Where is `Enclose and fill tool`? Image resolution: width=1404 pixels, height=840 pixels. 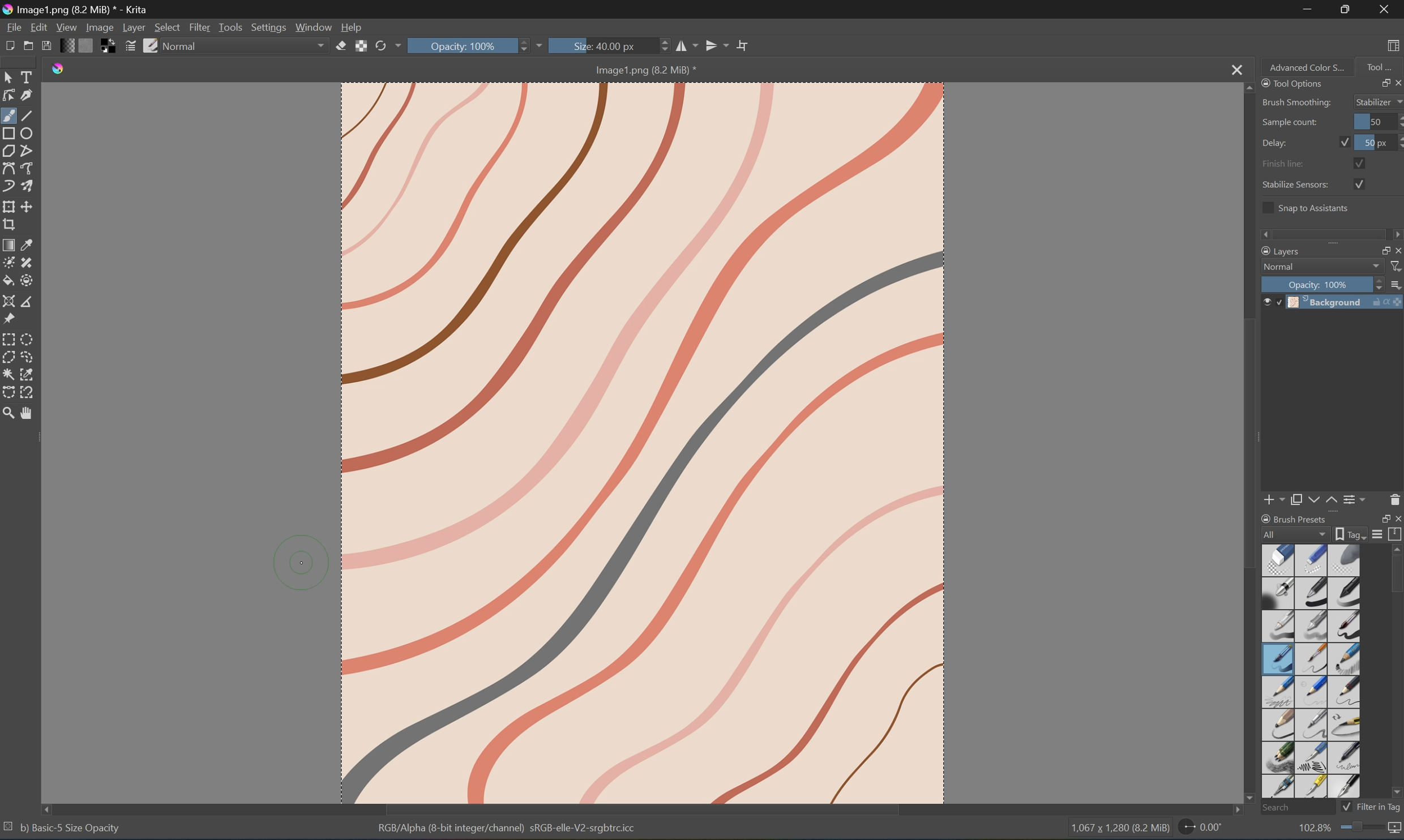 Enclose and fill tool is located at coordinates (25, 280).